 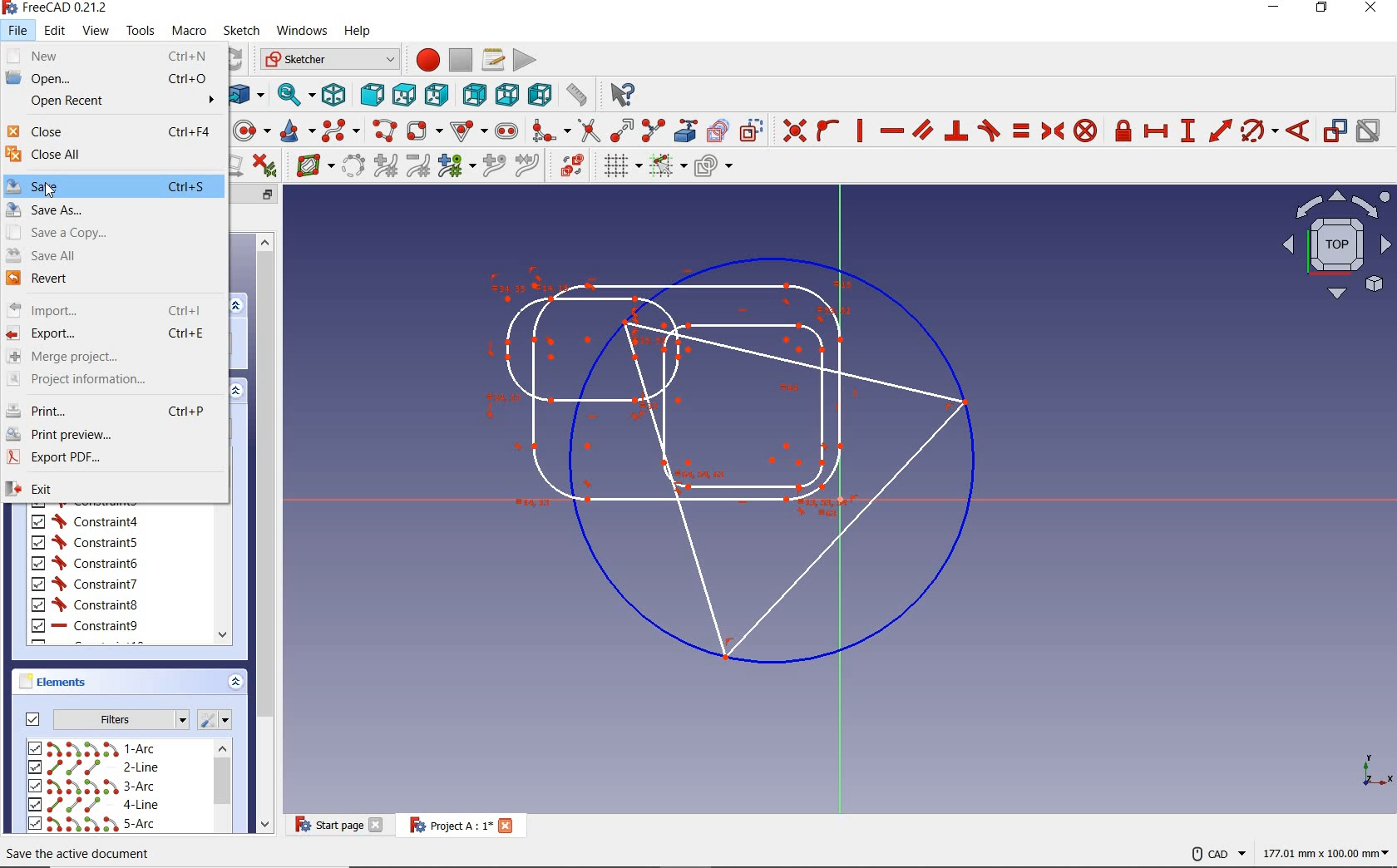 I want to click on YZX, so click(x=1377, y=767).